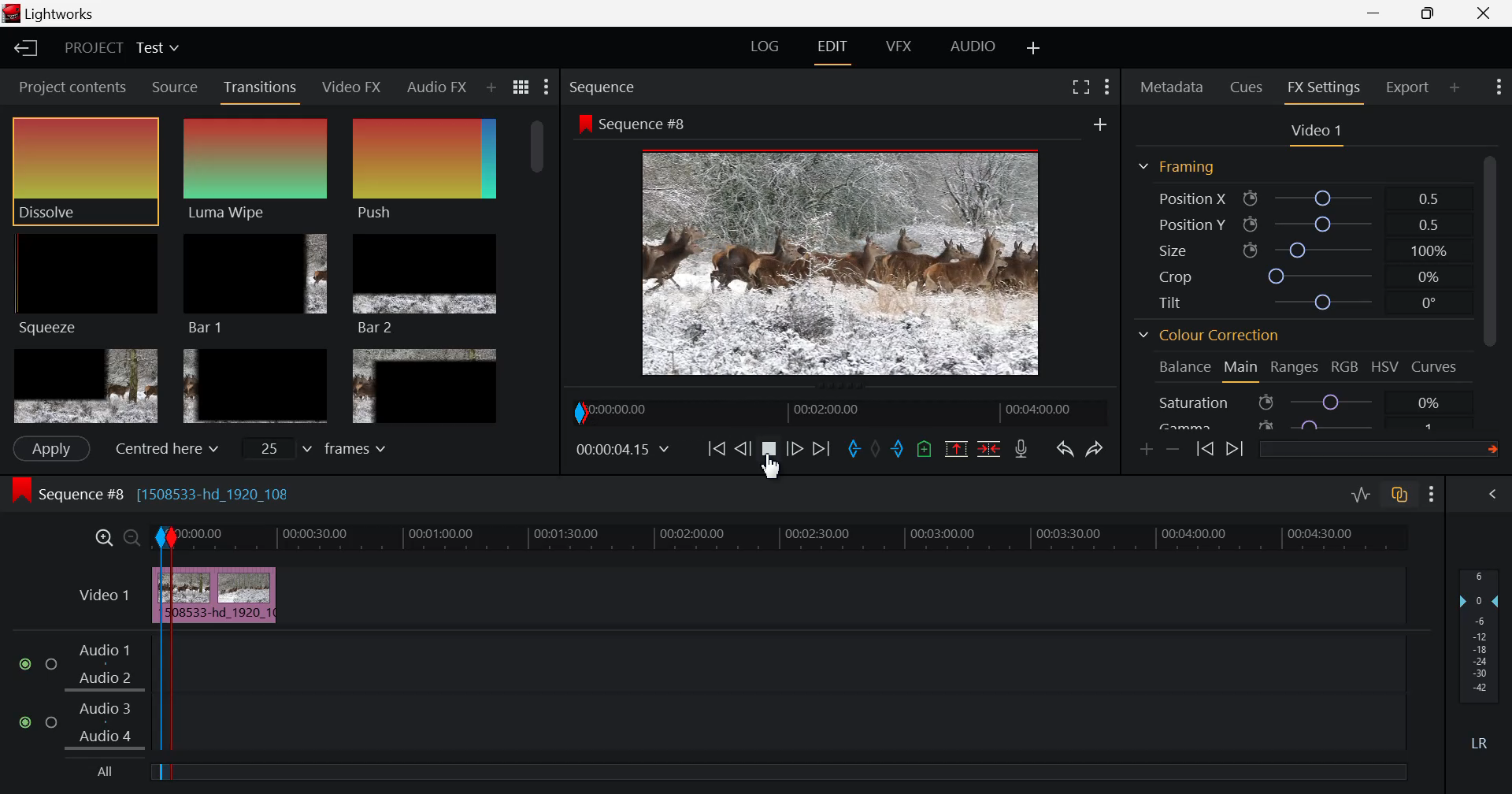  What do you see at coordinates (851, 450) in the screenshot?
I see `In mark` at bounding box center [851, 450].